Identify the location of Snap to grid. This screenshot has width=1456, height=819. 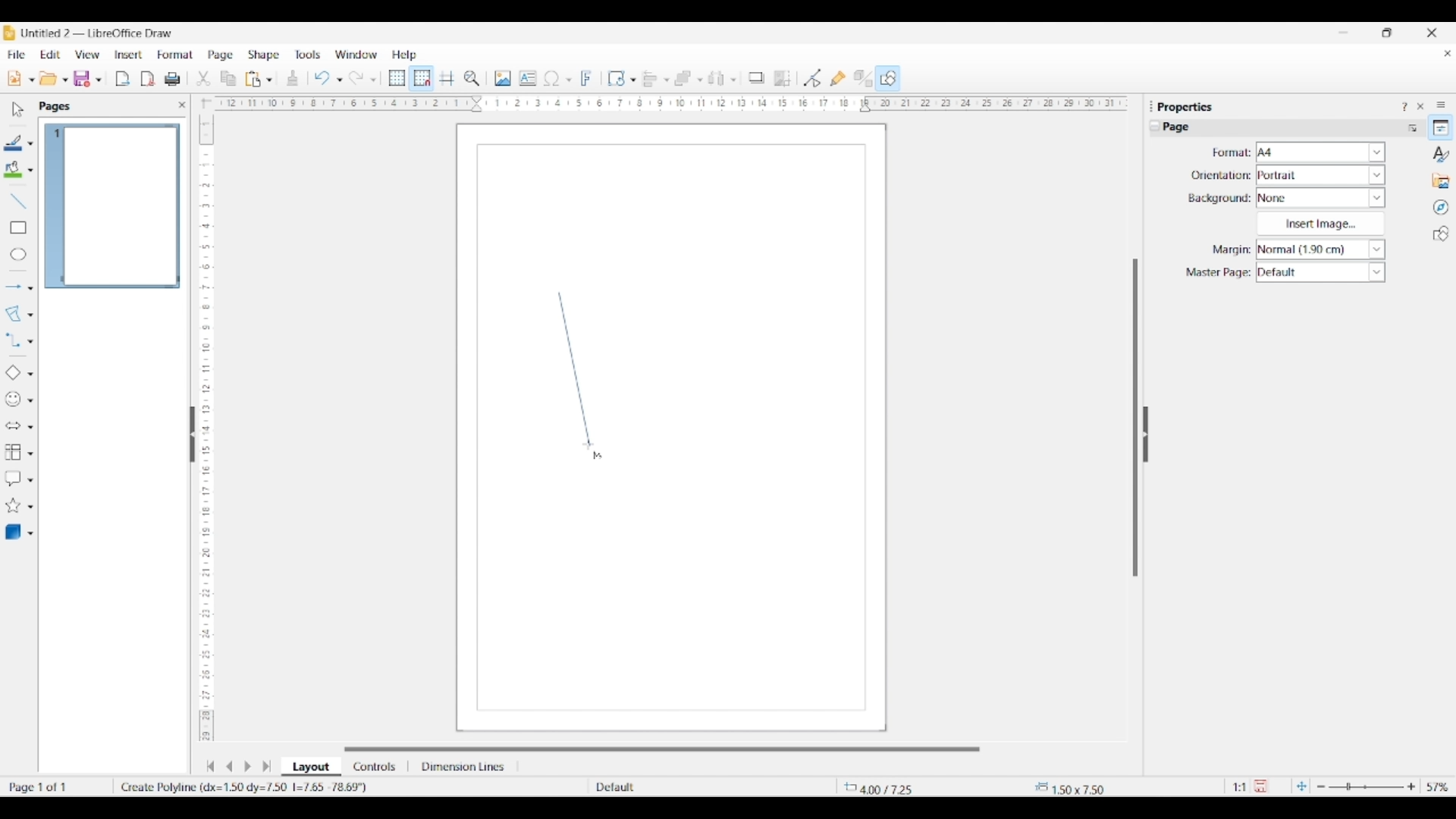
(422, 79).